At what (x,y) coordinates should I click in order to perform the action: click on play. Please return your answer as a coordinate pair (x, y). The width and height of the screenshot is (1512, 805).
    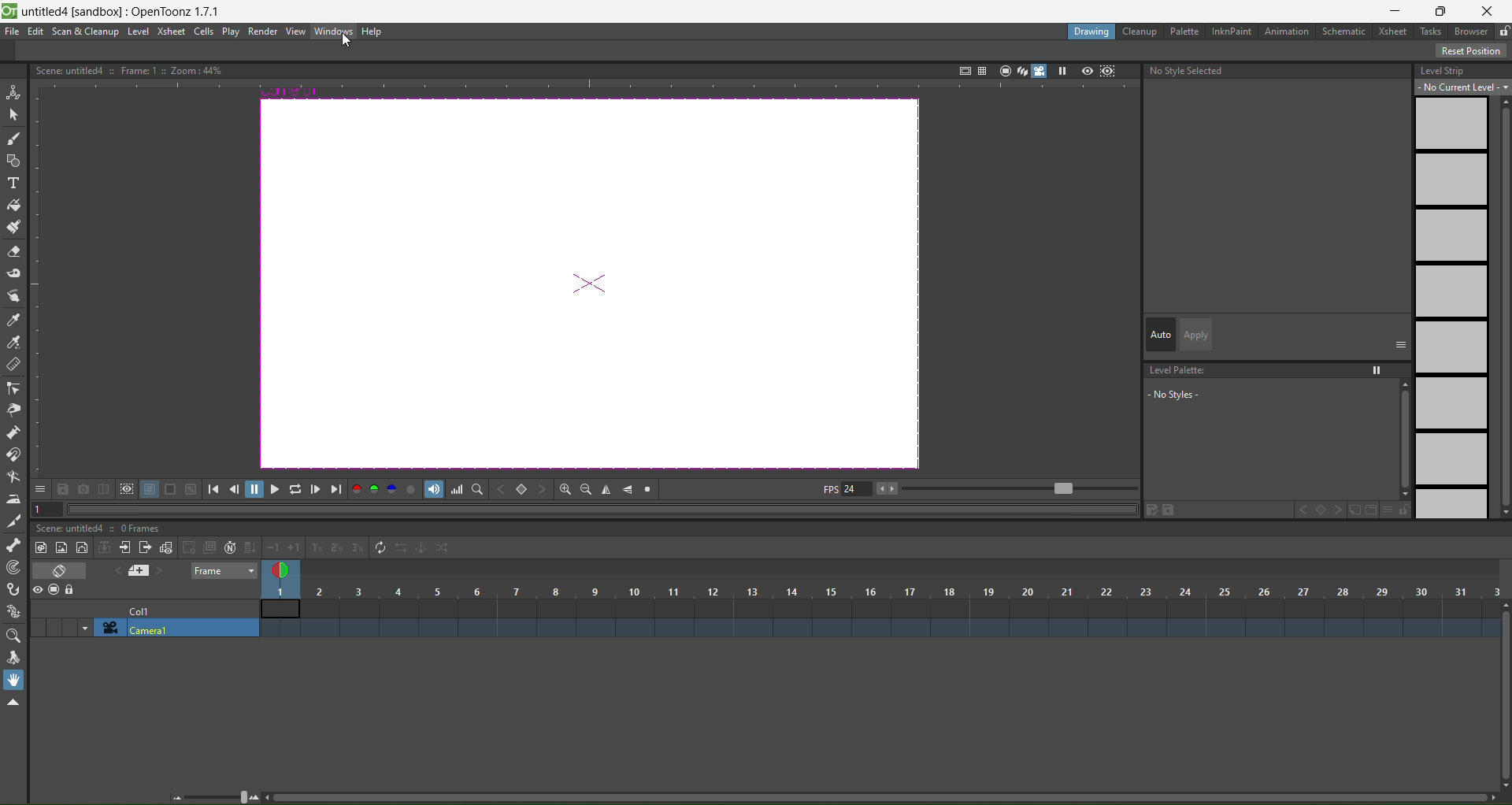
    Looking at the image, I should click on (231, 32).